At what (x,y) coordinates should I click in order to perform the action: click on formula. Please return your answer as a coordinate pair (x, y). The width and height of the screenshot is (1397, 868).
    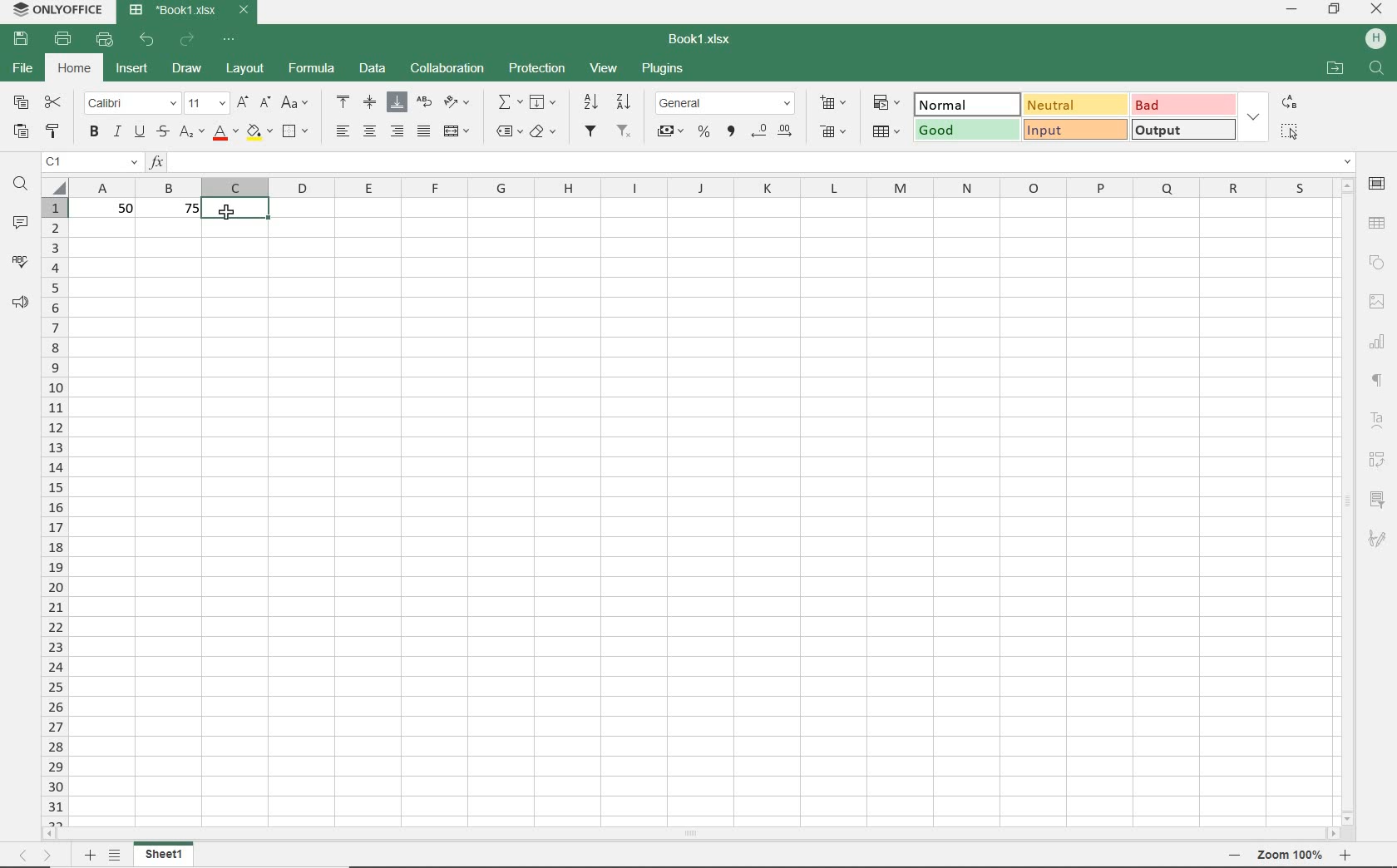
    Looking at the image, I should click on (312, 68).